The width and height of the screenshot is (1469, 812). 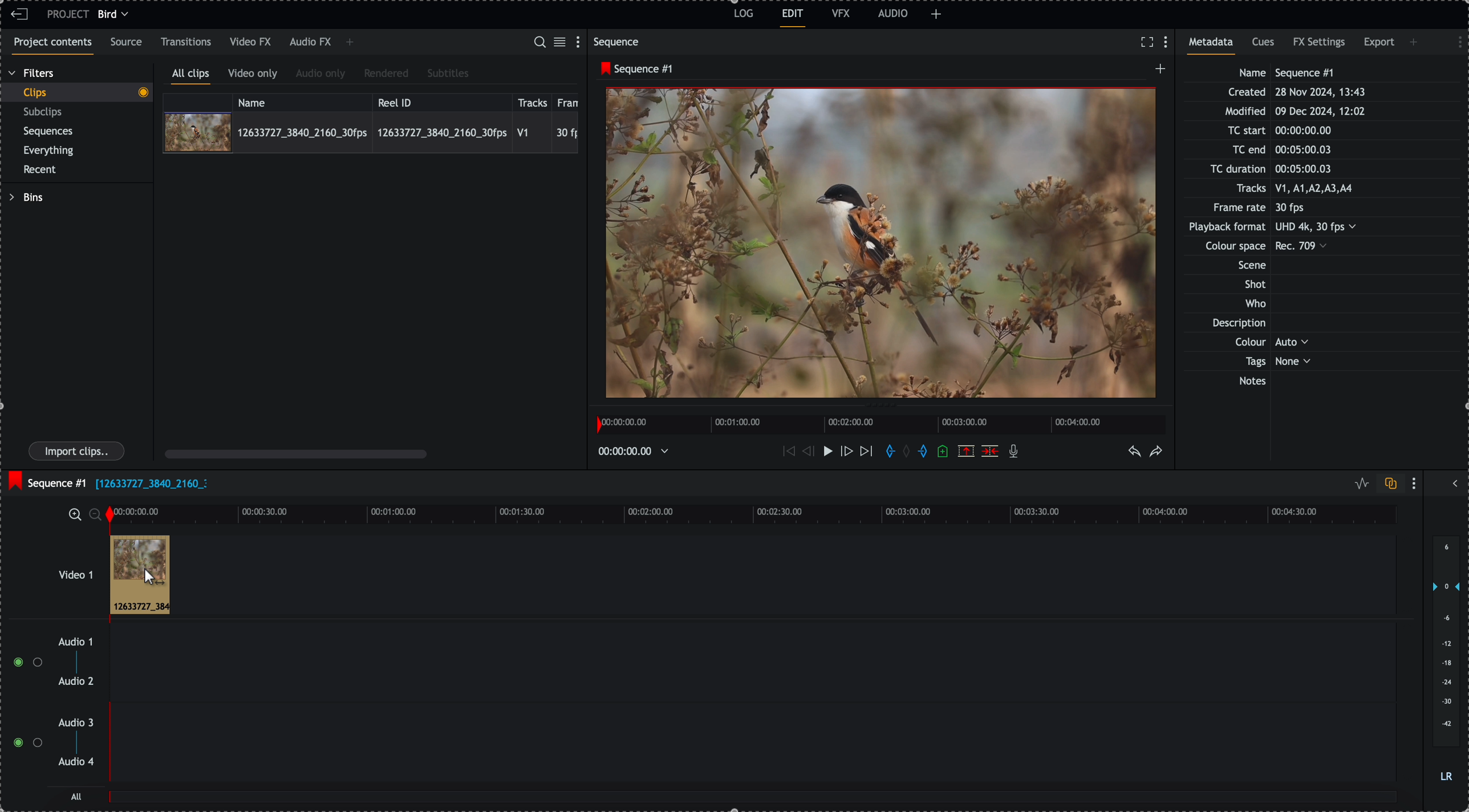 What do you see at coordinates (1158, 72) in the screenshot?
I see `create a new sequence` at bounding box center [1158, 72].